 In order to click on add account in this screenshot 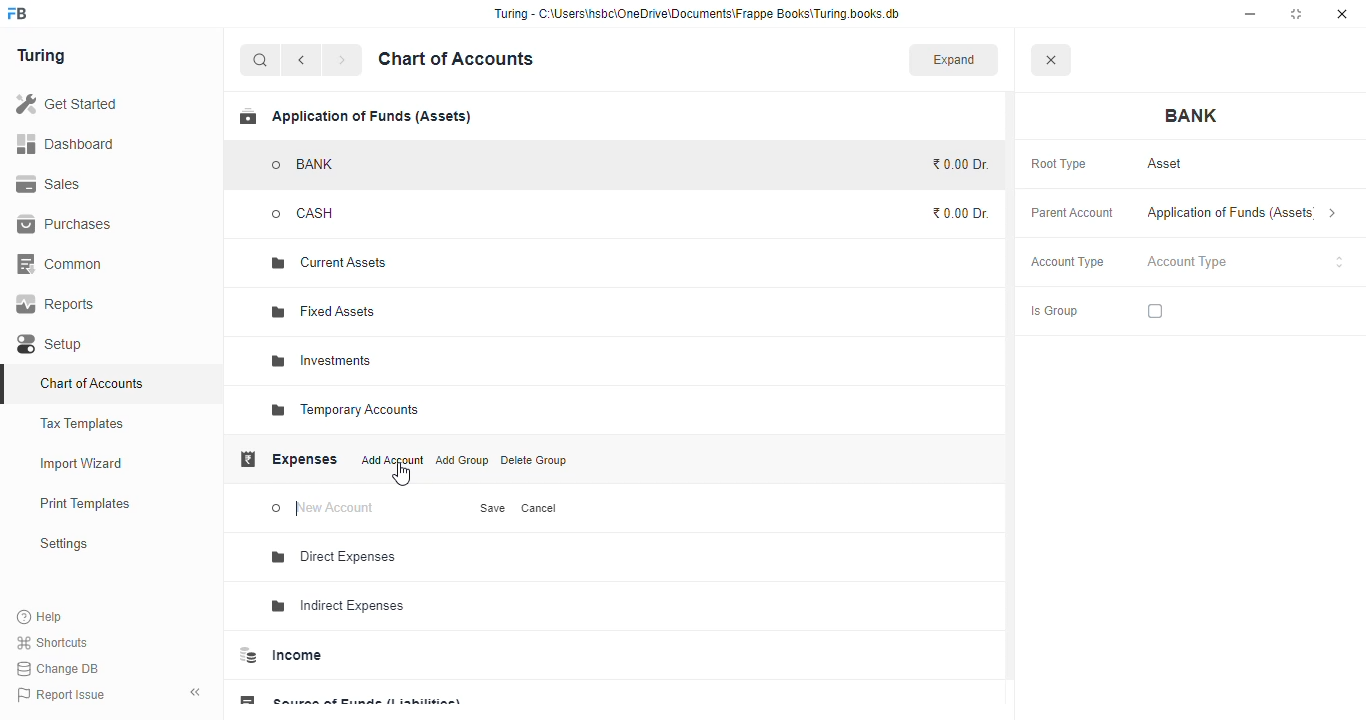, I will do `click(393, 460)`.